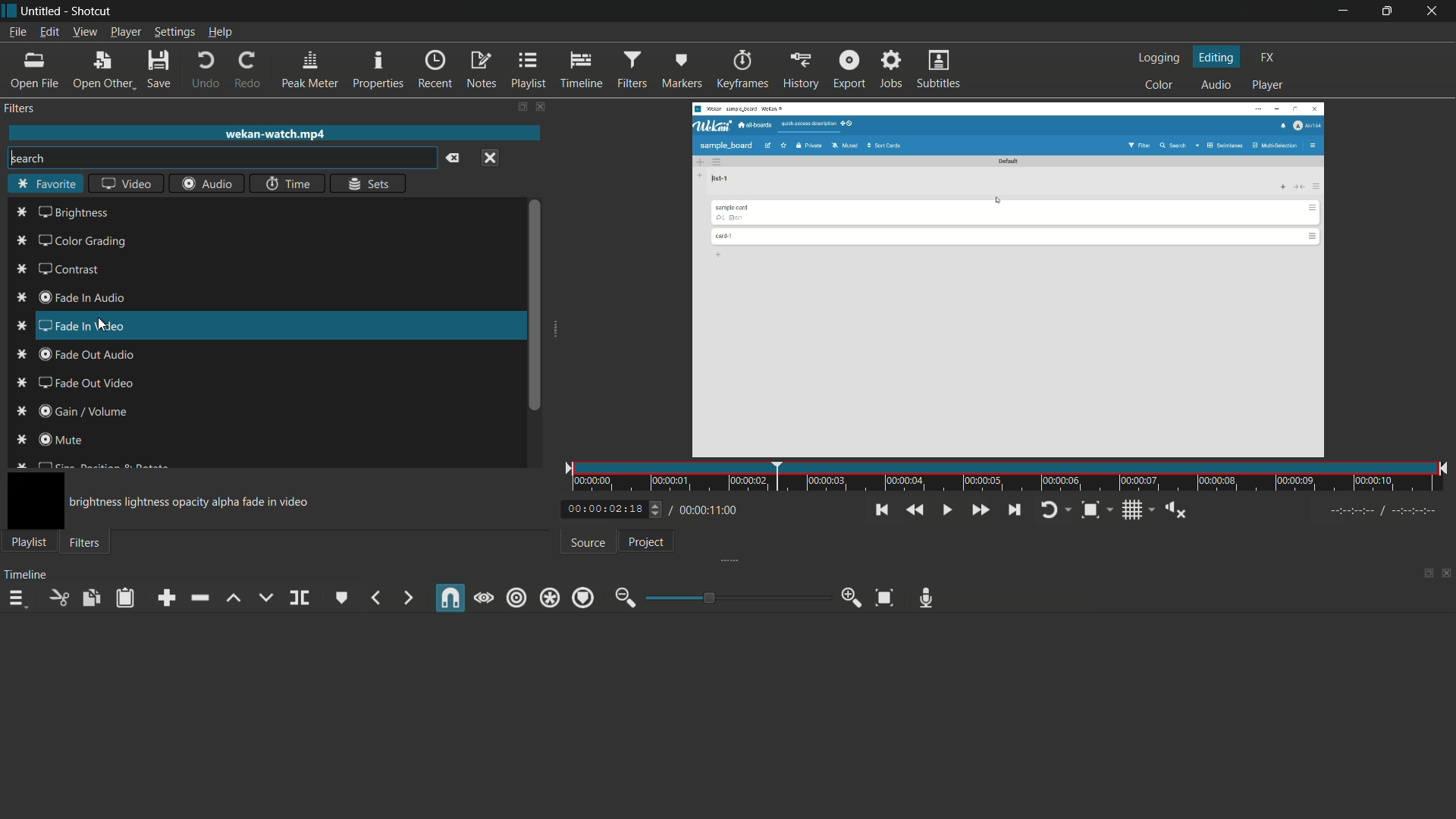 Image resolution: width=1456 pixels, height=819 pixels. I want to click on audio, so click(207, 184).